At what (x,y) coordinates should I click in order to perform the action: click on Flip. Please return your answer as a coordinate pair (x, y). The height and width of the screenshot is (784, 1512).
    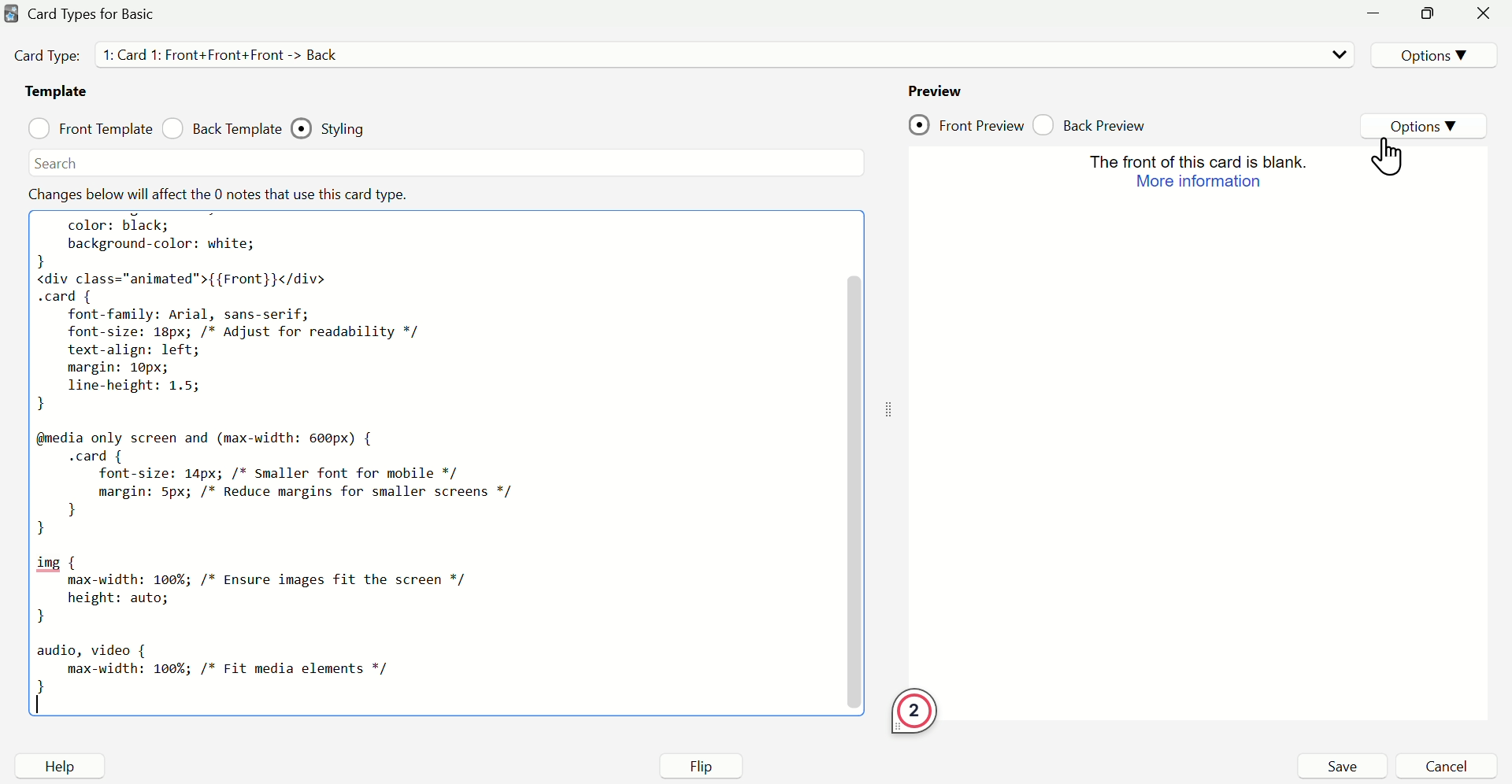
    Looking at the image, I should click on (705, 764).